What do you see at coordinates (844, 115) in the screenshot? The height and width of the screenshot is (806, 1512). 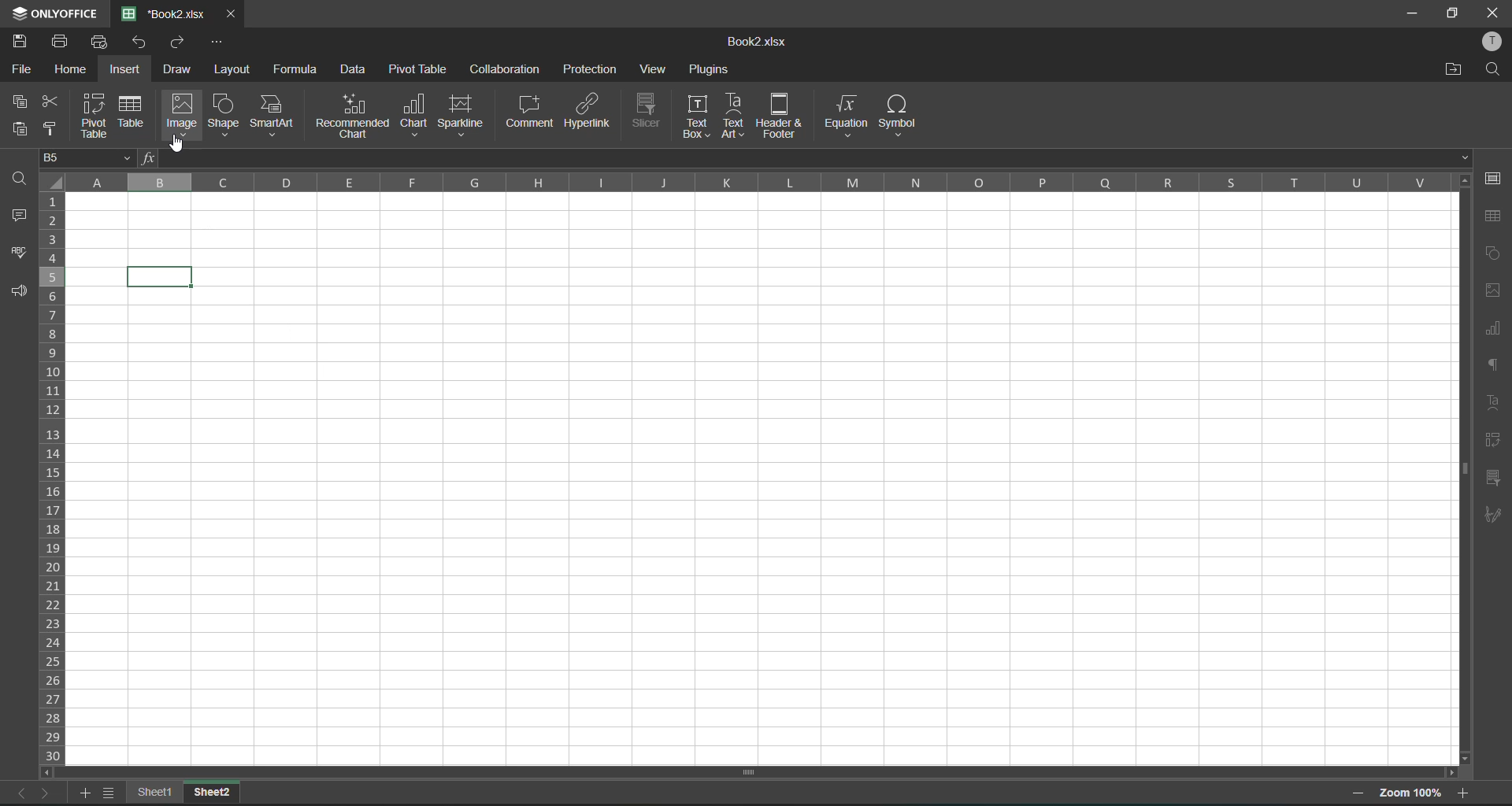 I see `equation` at bounding box center [844, 115].